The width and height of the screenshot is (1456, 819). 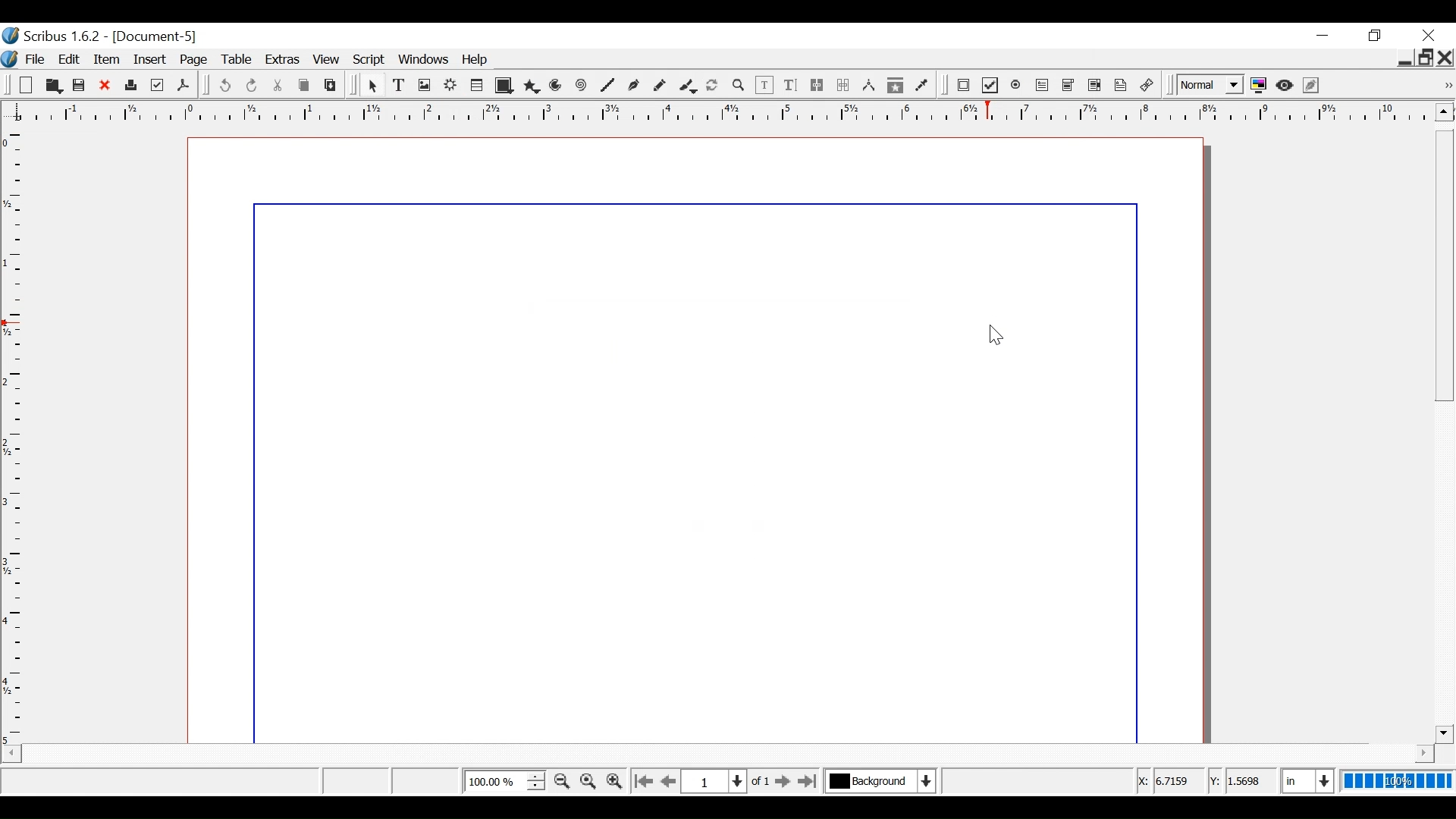 What do you see at coordinates (224, 86) in the screenshot?
I see `Undo` at bounding box center [224, 86].